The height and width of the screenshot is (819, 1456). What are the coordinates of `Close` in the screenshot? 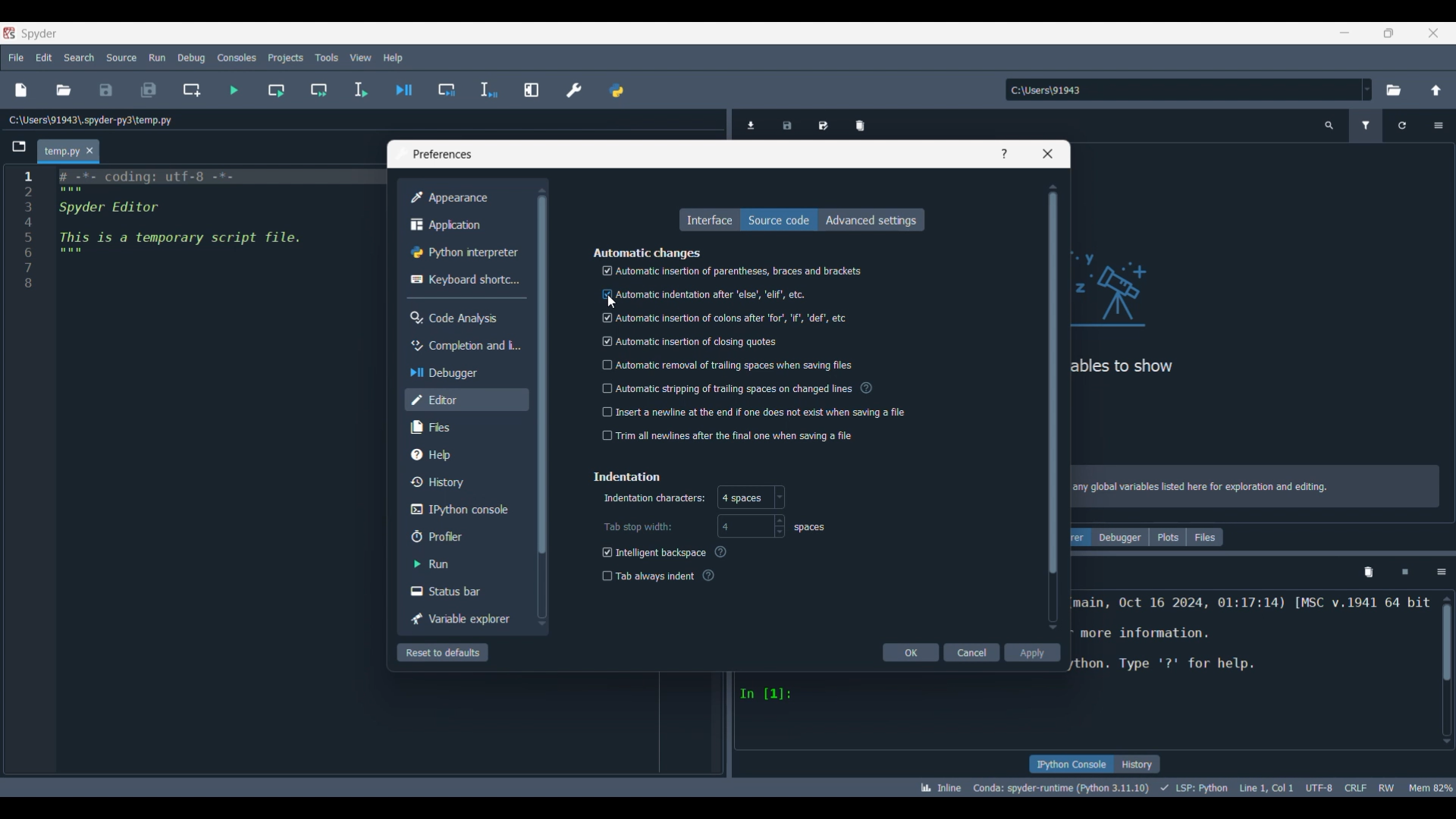 It's located at (1048, 154).